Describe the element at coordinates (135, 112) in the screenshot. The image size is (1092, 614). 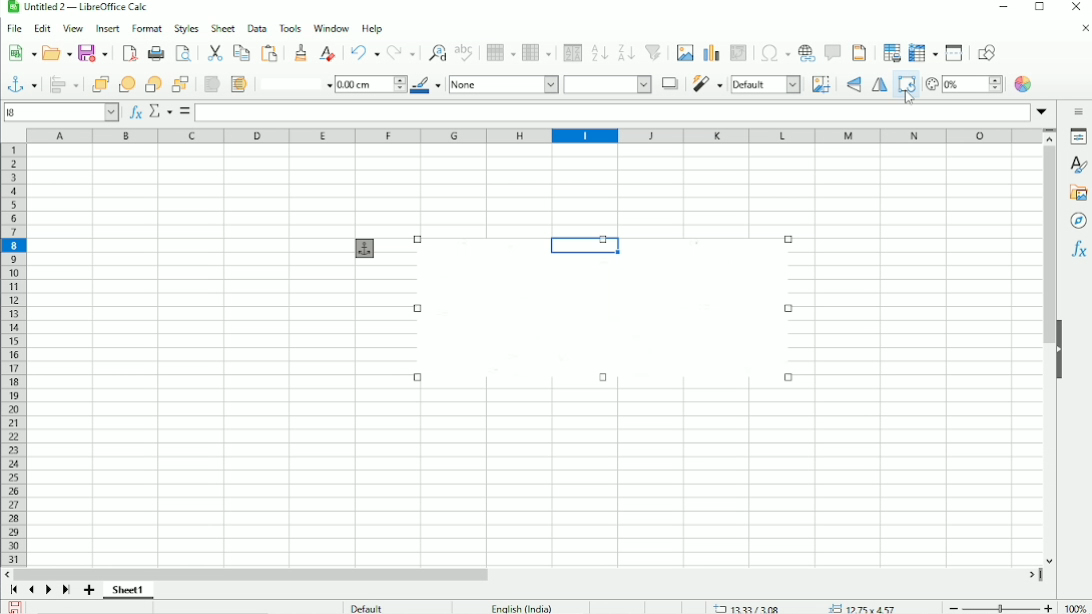
I see `Function wizard` at that location.